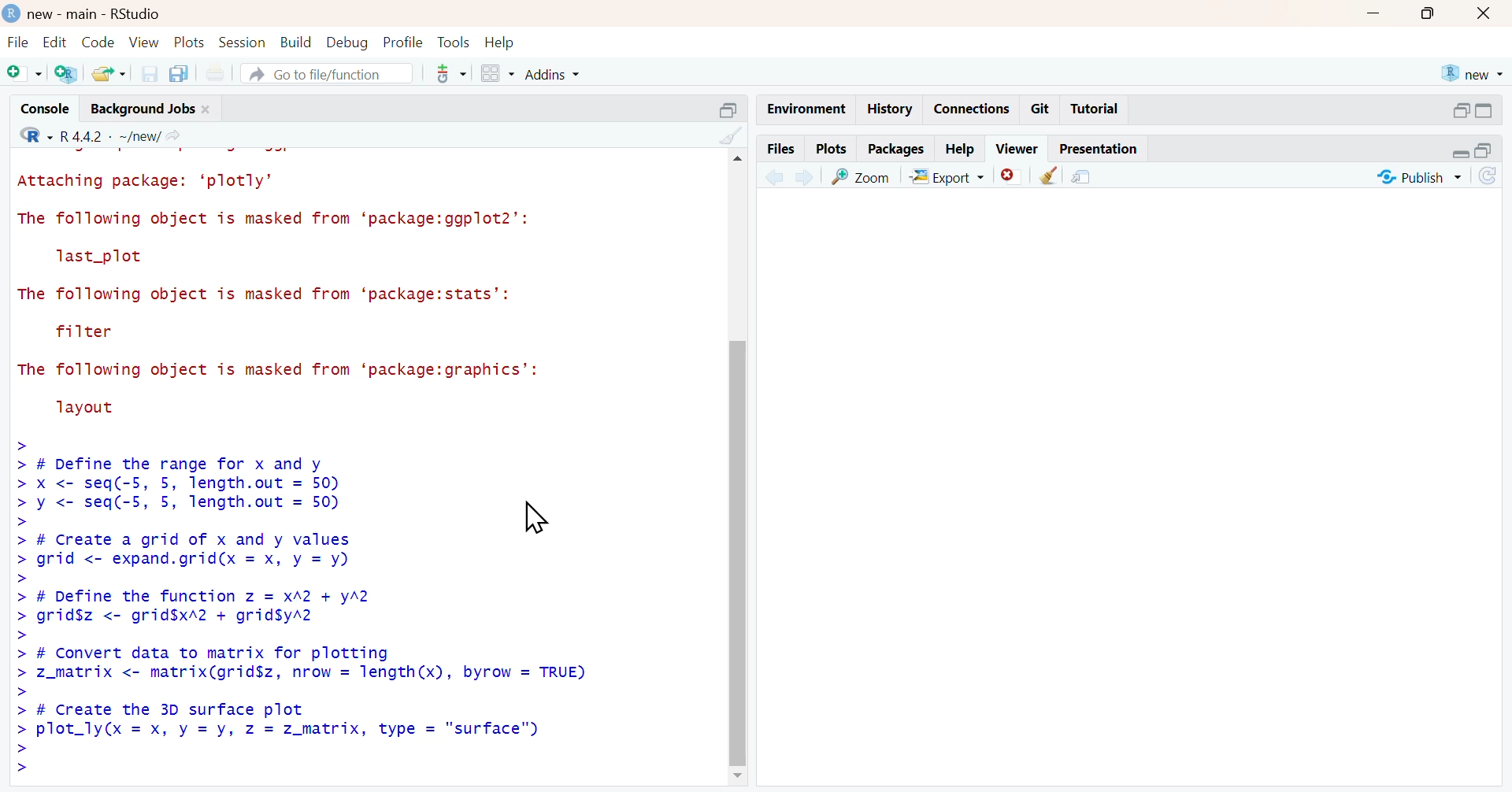  What do you see at coordinates (191, 43) in the screenshot?
I see `plots` at bounding box center [191, 43].